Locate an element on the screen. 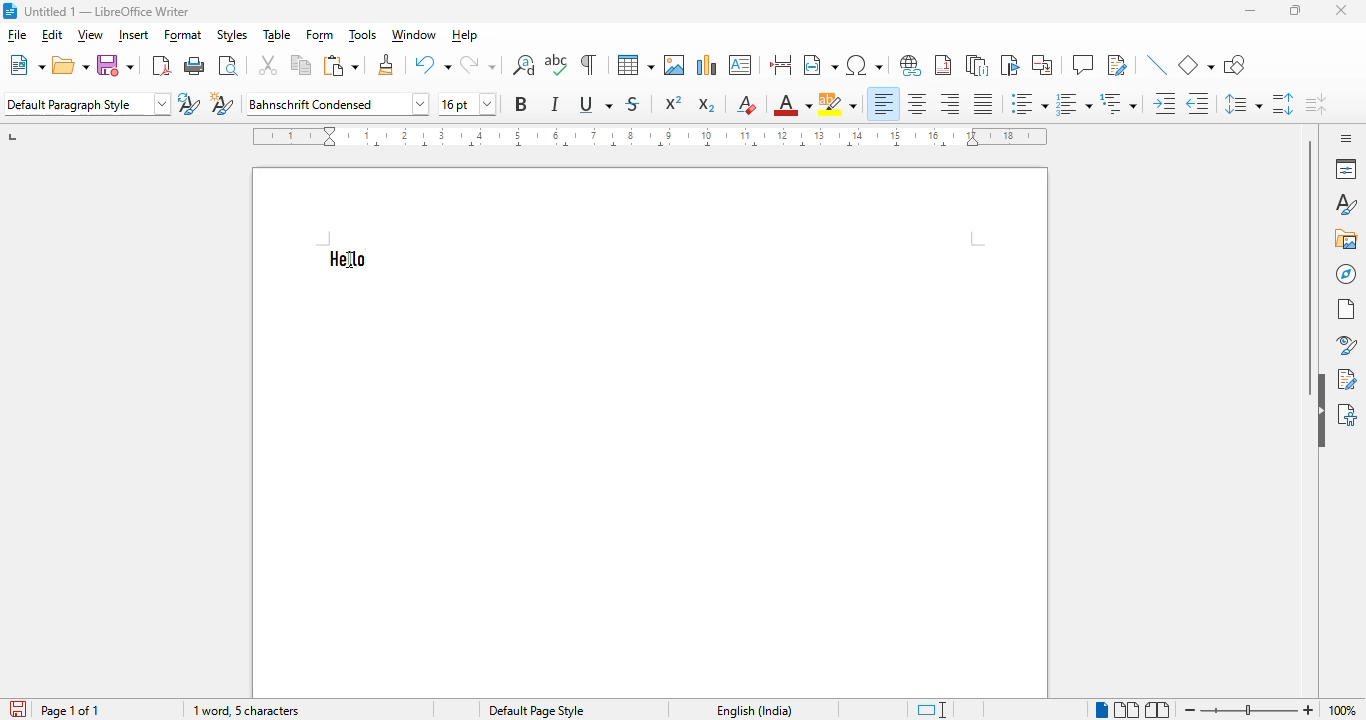 This screenshot has height=720, width=1366. gallery is located at coordinates (1346, 239).